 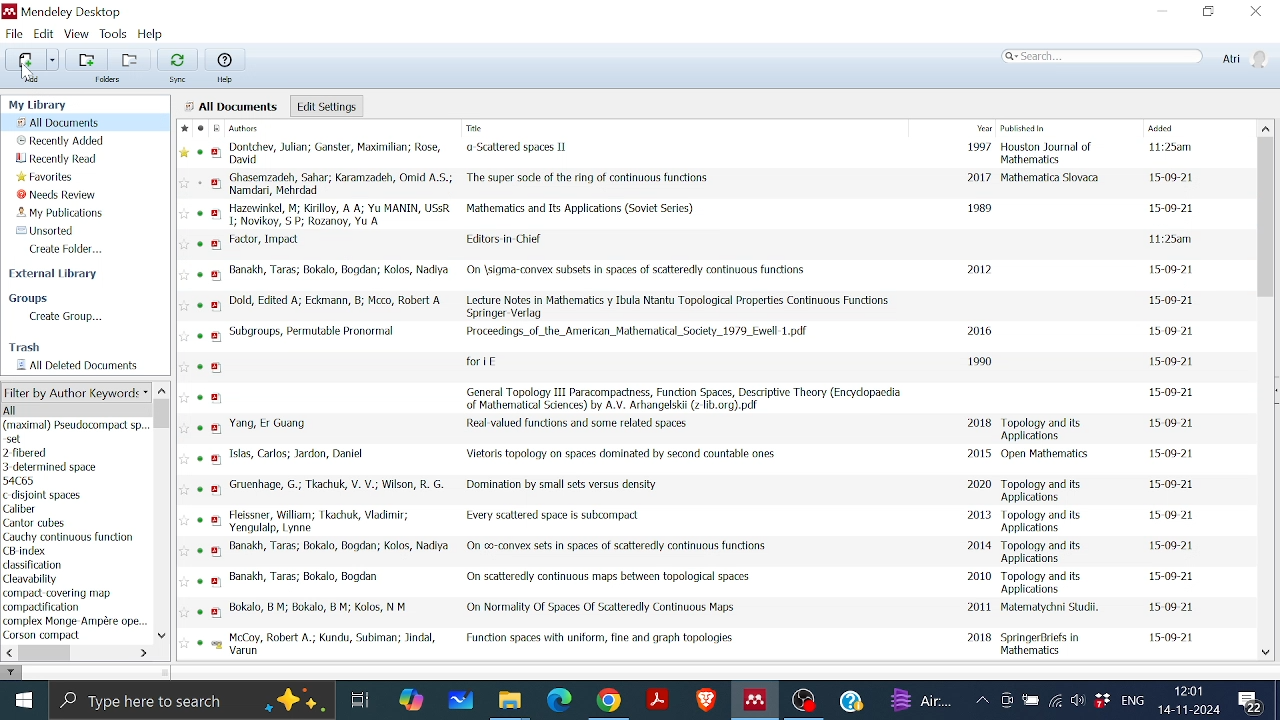 I want to click on Help, so click(x=153, y=34).